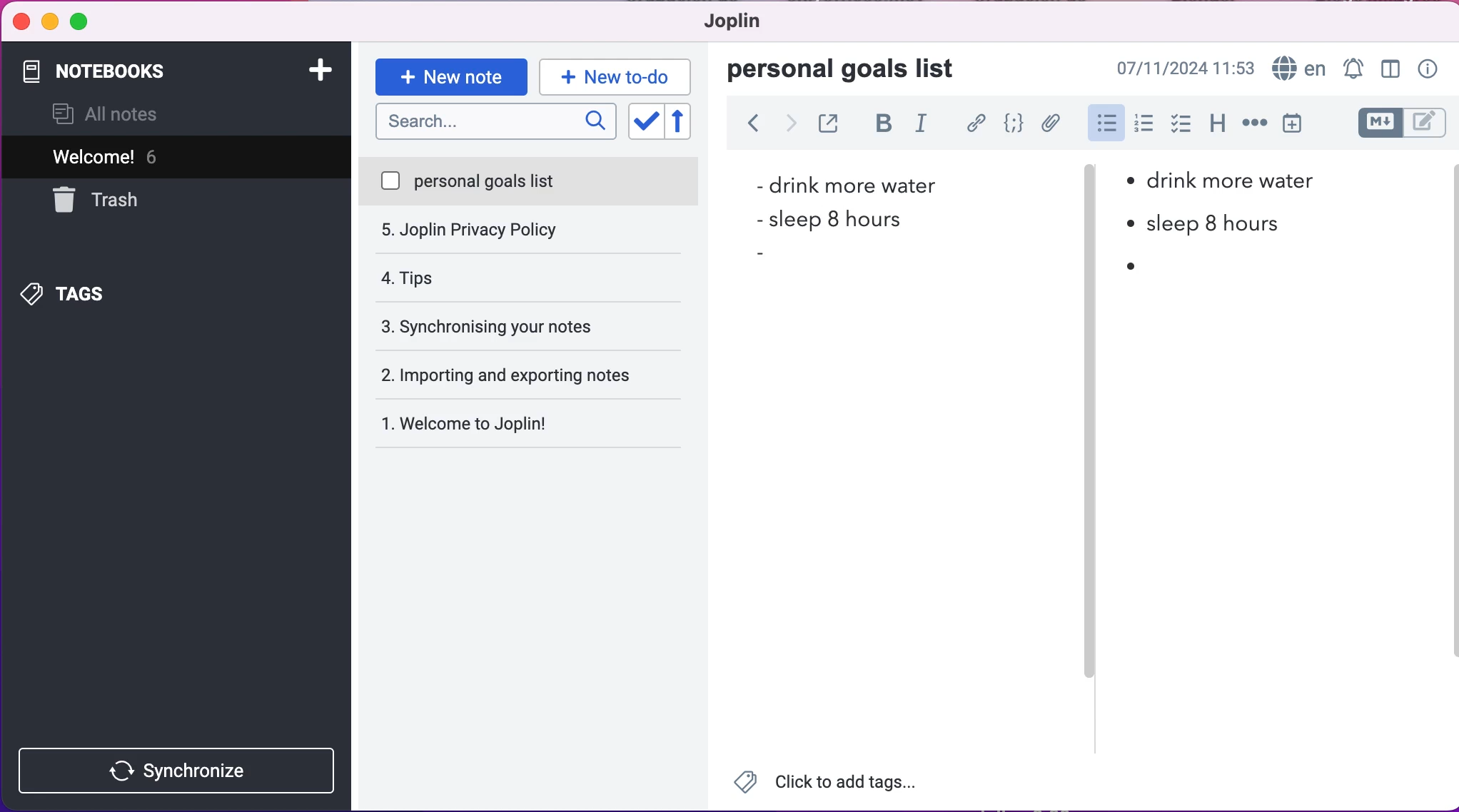  I want to click on synchronising your notes, so click(530, 278).